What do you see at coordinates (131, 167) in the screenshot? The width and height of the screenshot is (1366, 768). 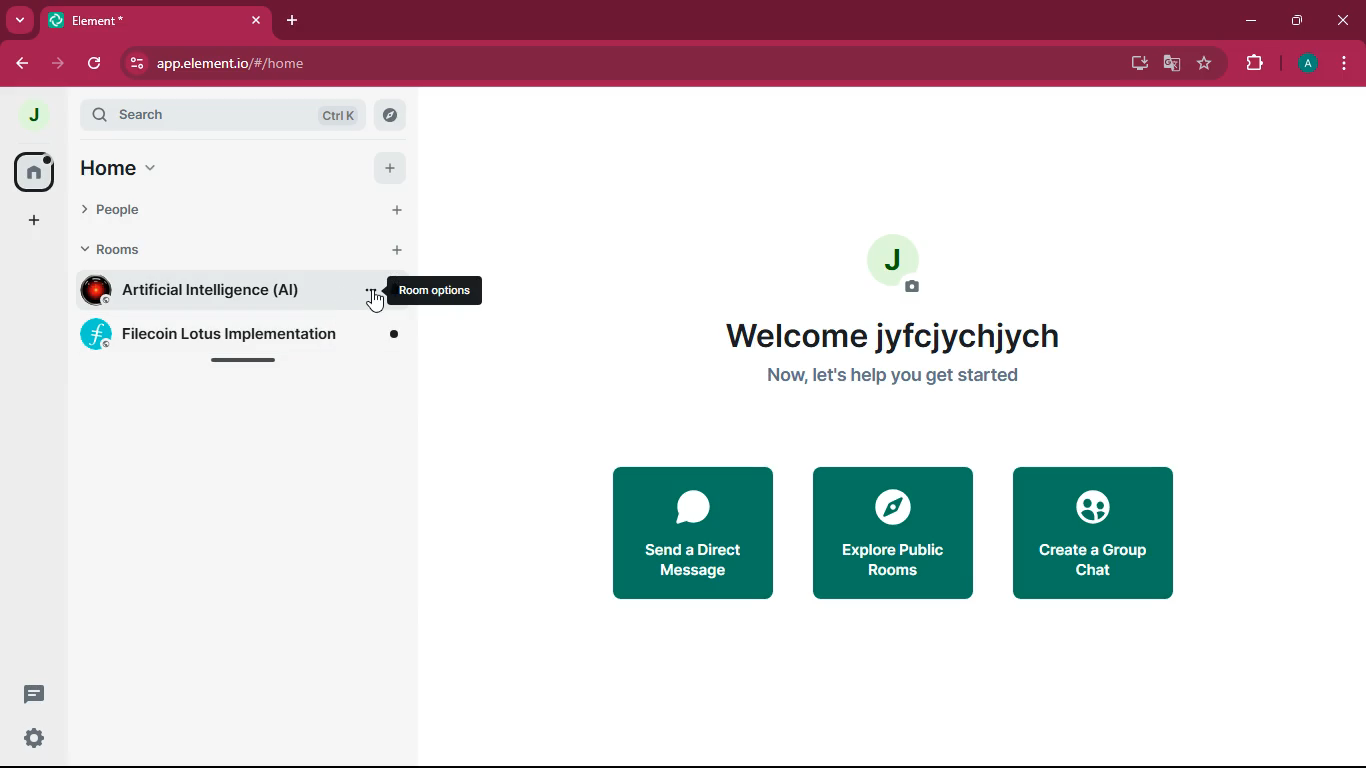 I see `home` at bounding box center [131, 167].